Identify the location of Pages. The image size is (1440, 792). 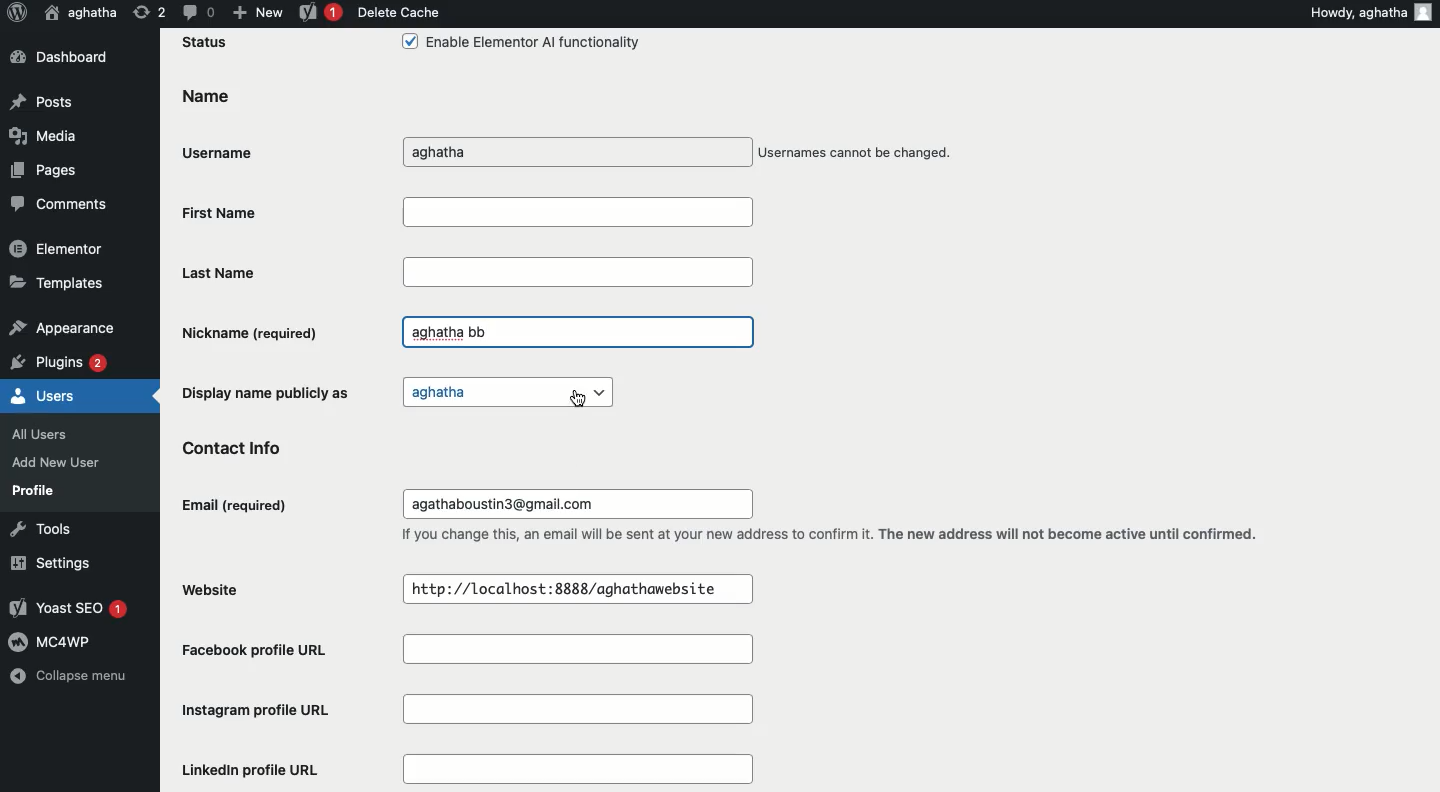
(46, 169).